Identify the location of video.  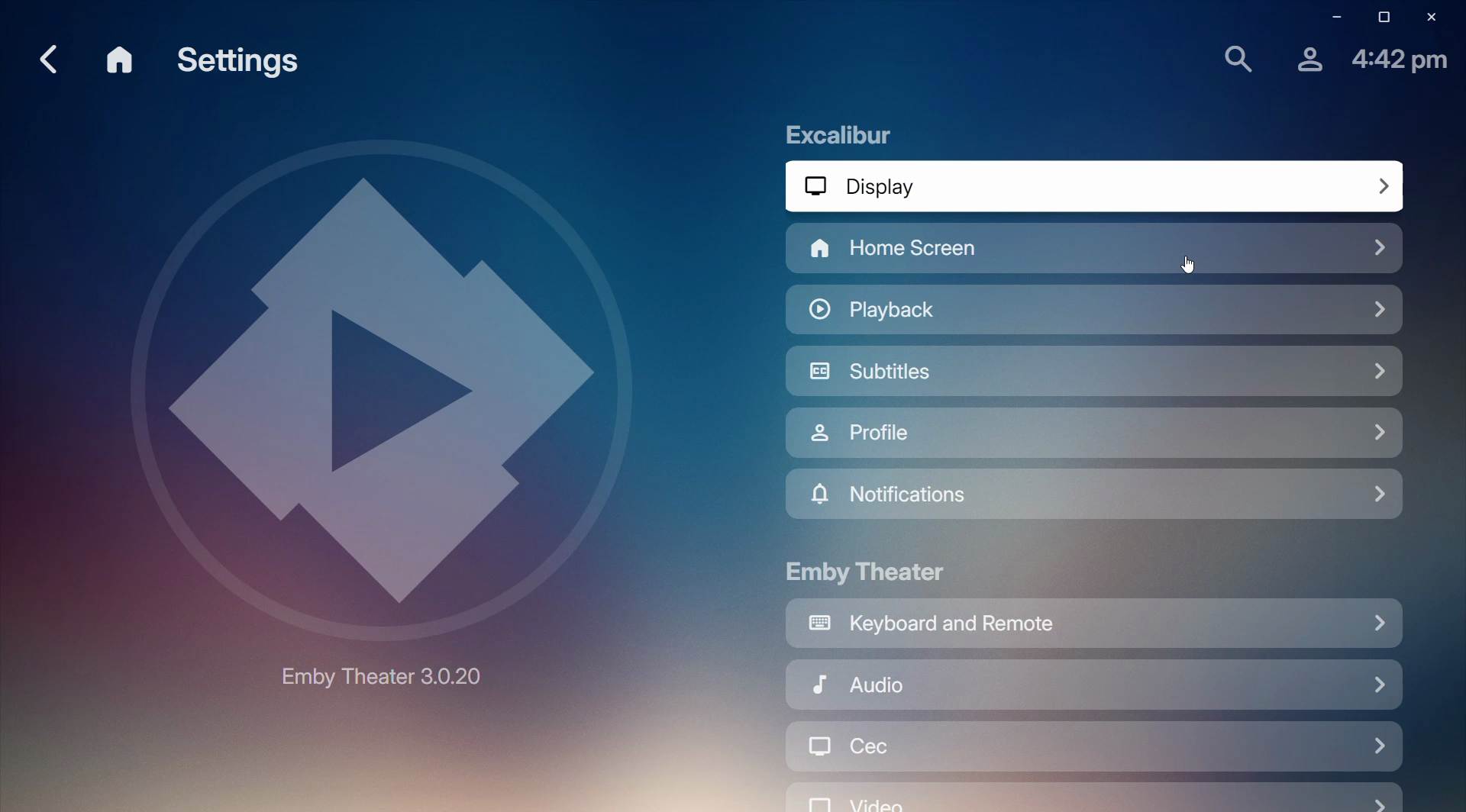
(1098, 801).